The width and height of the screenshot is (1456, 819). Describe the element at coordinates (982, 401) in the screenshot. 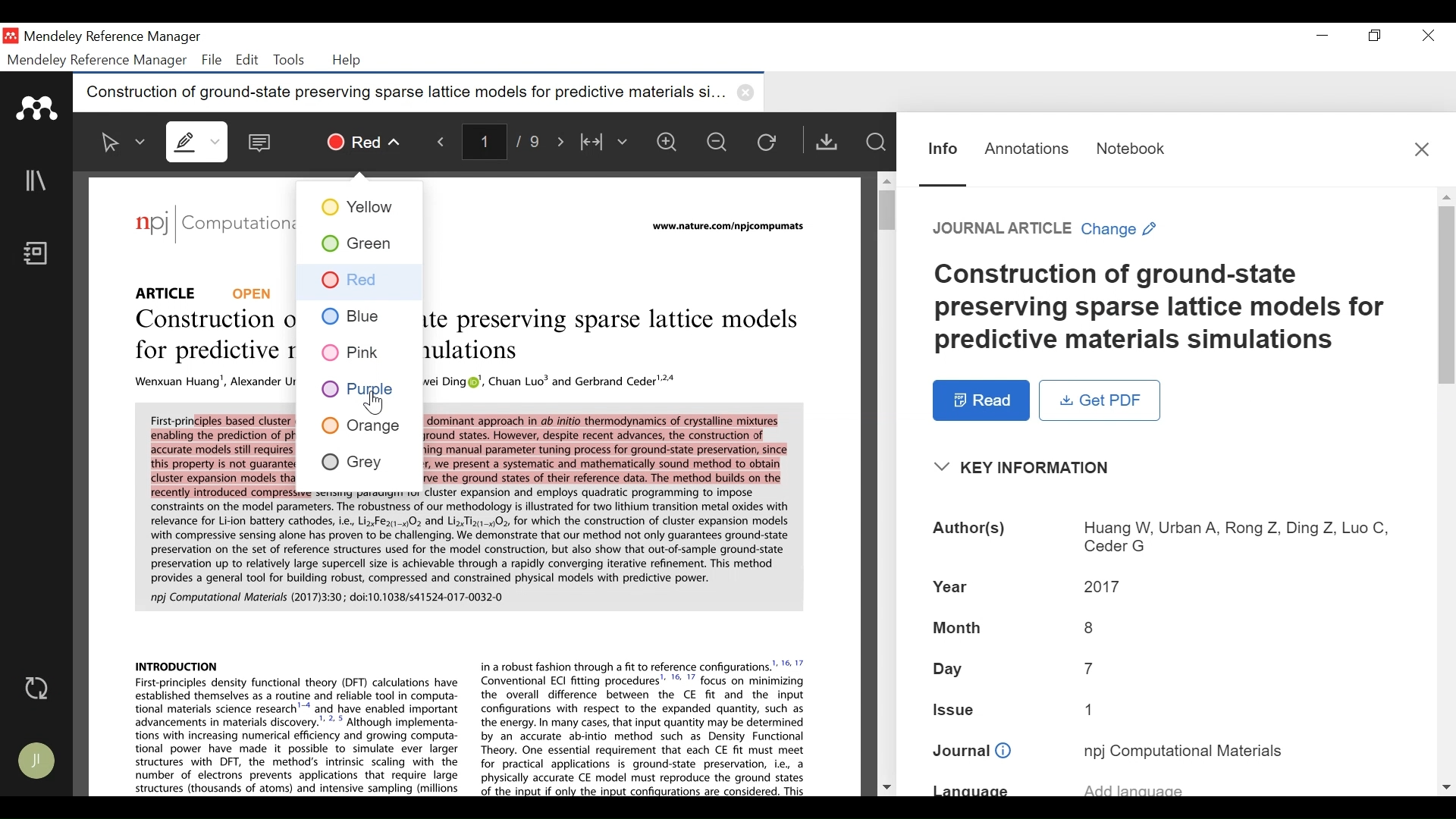

I see `Read` at that location.